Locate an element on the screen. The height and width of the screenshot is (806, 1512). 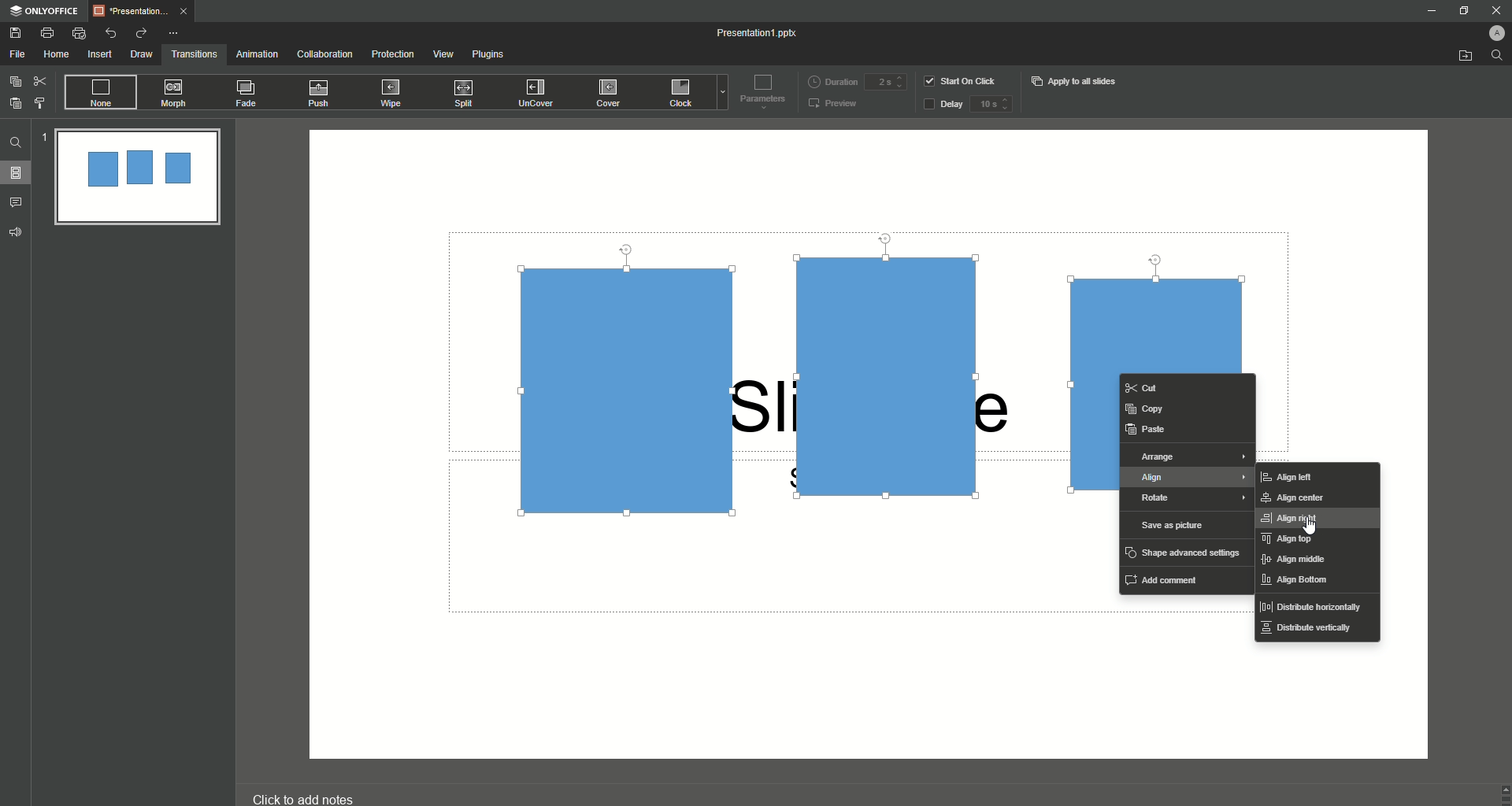
Parameters is located at coordinates (759, 91).